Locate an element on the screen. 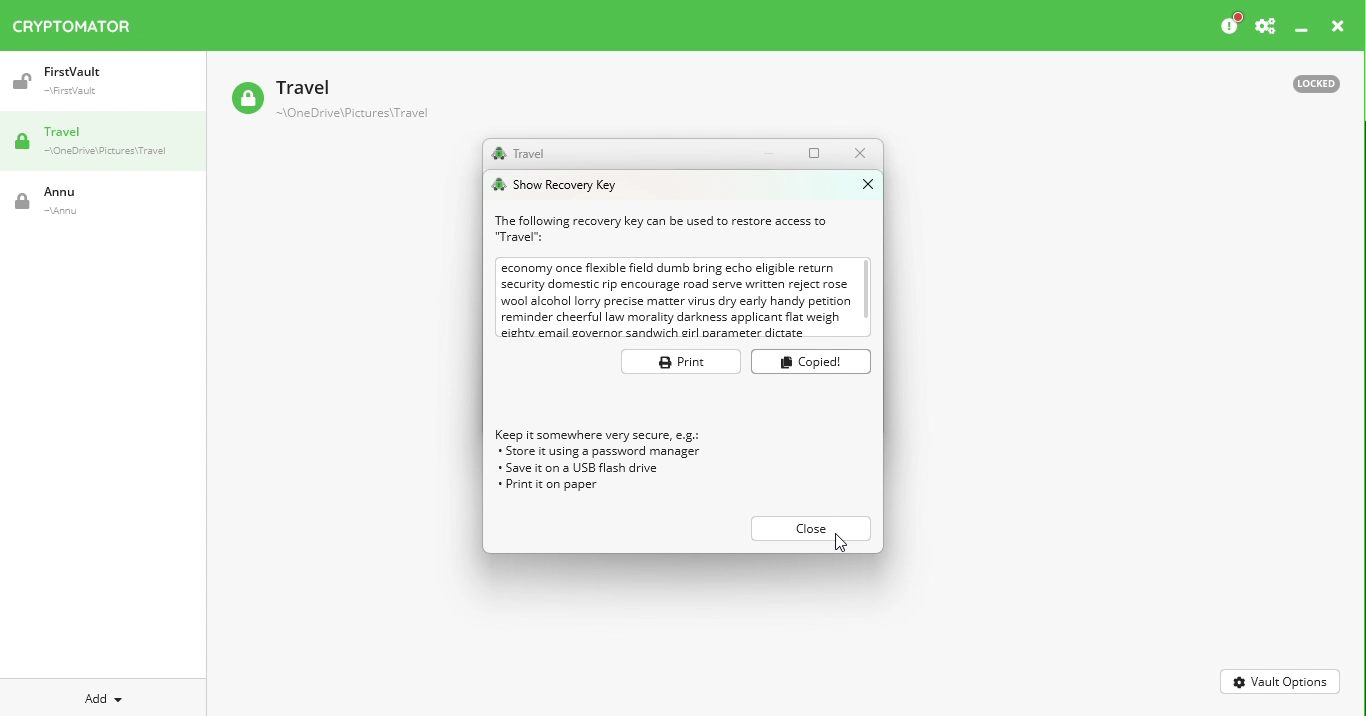 The image size is (1366, 716). Close is located at coordinates (859, 153).